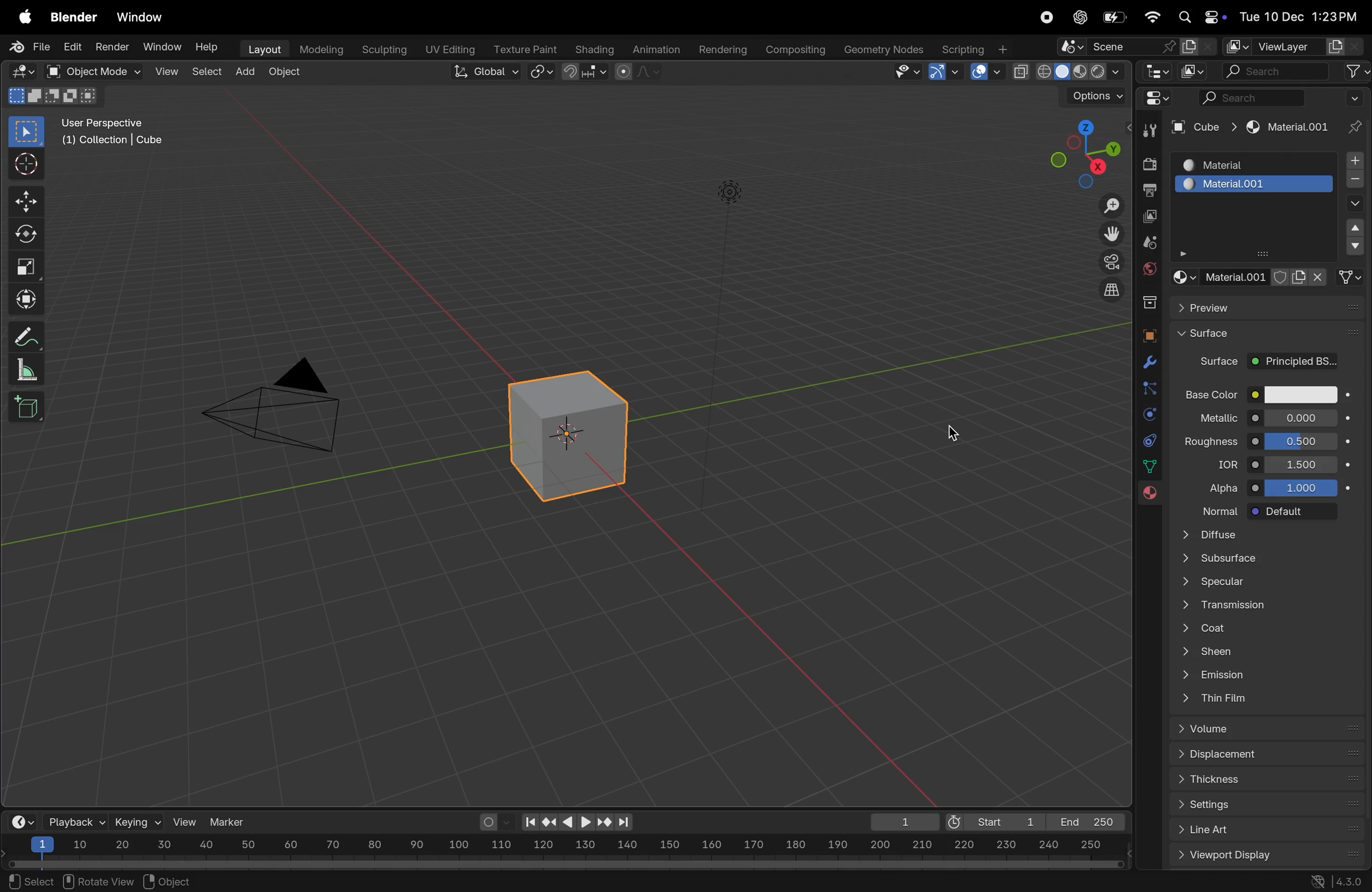  Describe the element at coordinates (1285, 128) in the screenshot. I see `material` at that location.